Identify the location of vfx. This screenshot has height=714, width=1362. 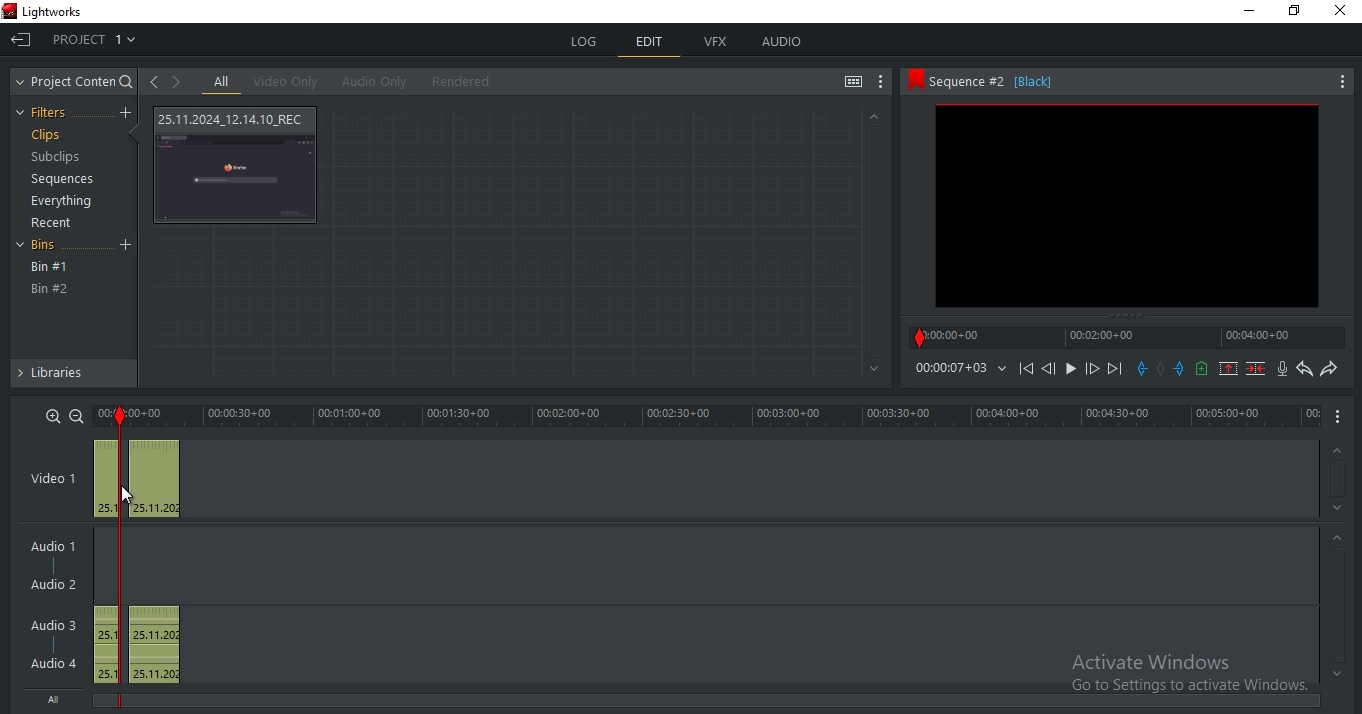
(717, 42).